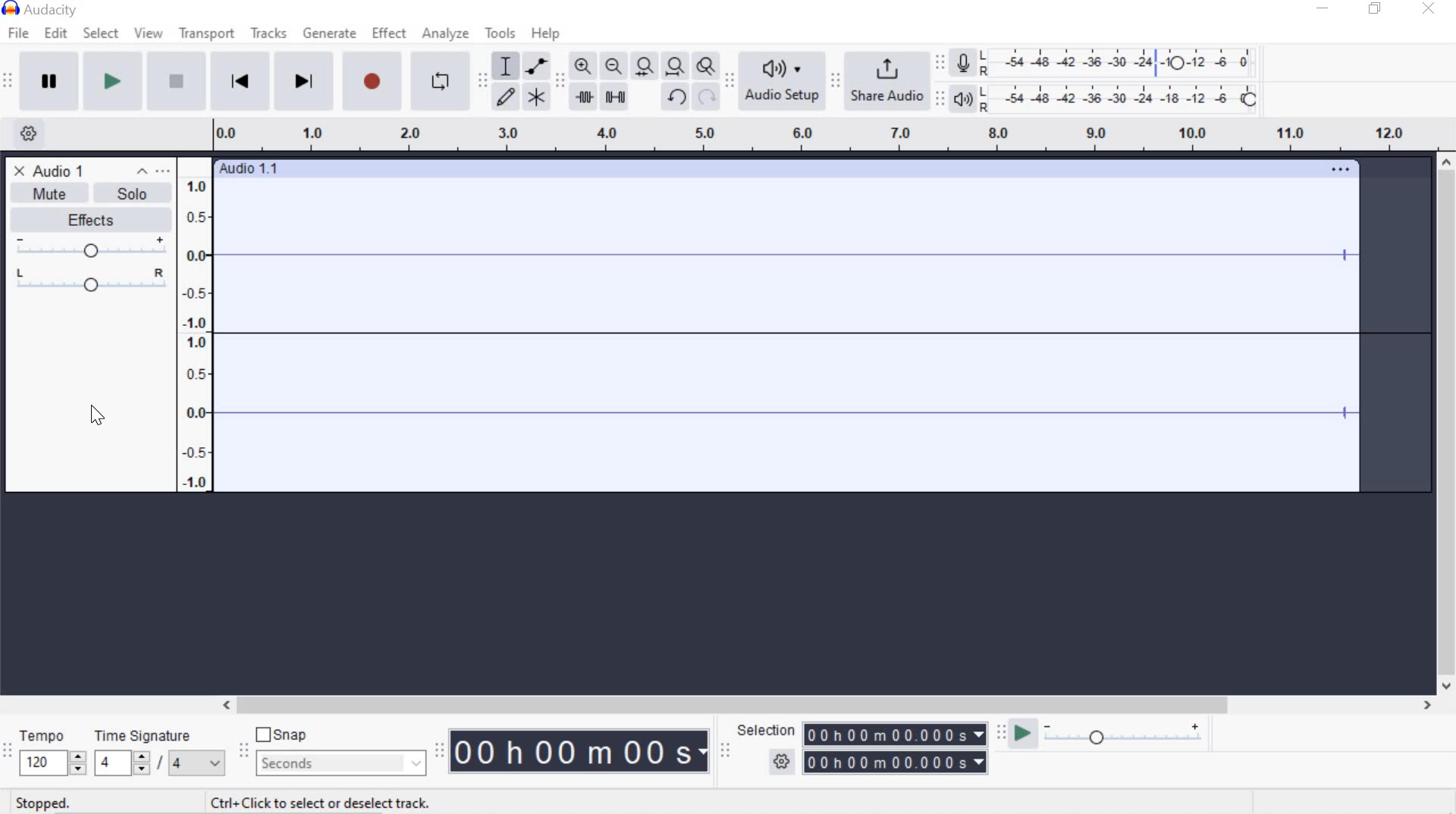  Describe the element at coordinates (372, 83) in the screenshot. I see `Record` at that location.